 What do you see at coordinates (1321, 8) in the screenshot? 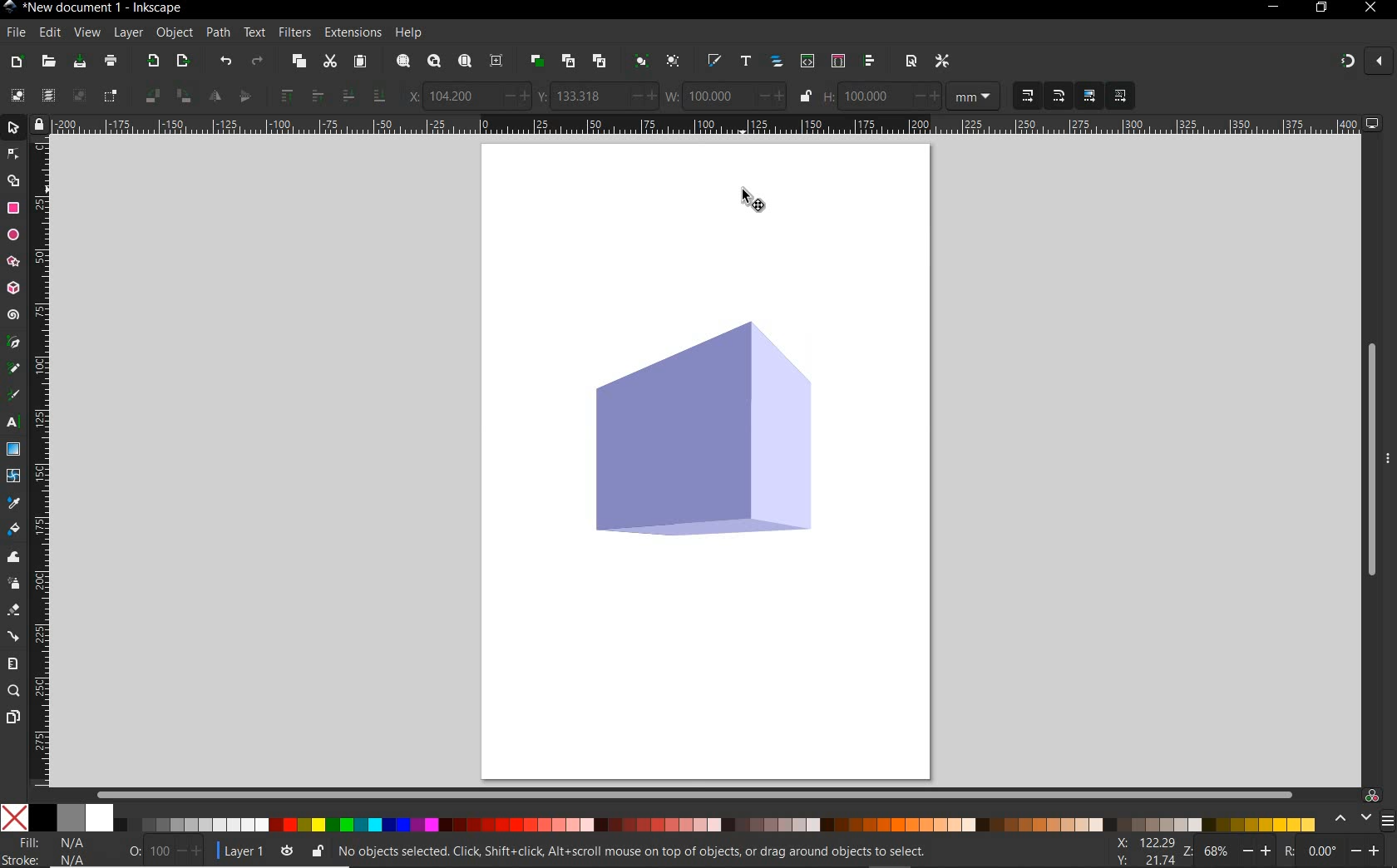
I see `restore down` at bounding box center [1321, 8].